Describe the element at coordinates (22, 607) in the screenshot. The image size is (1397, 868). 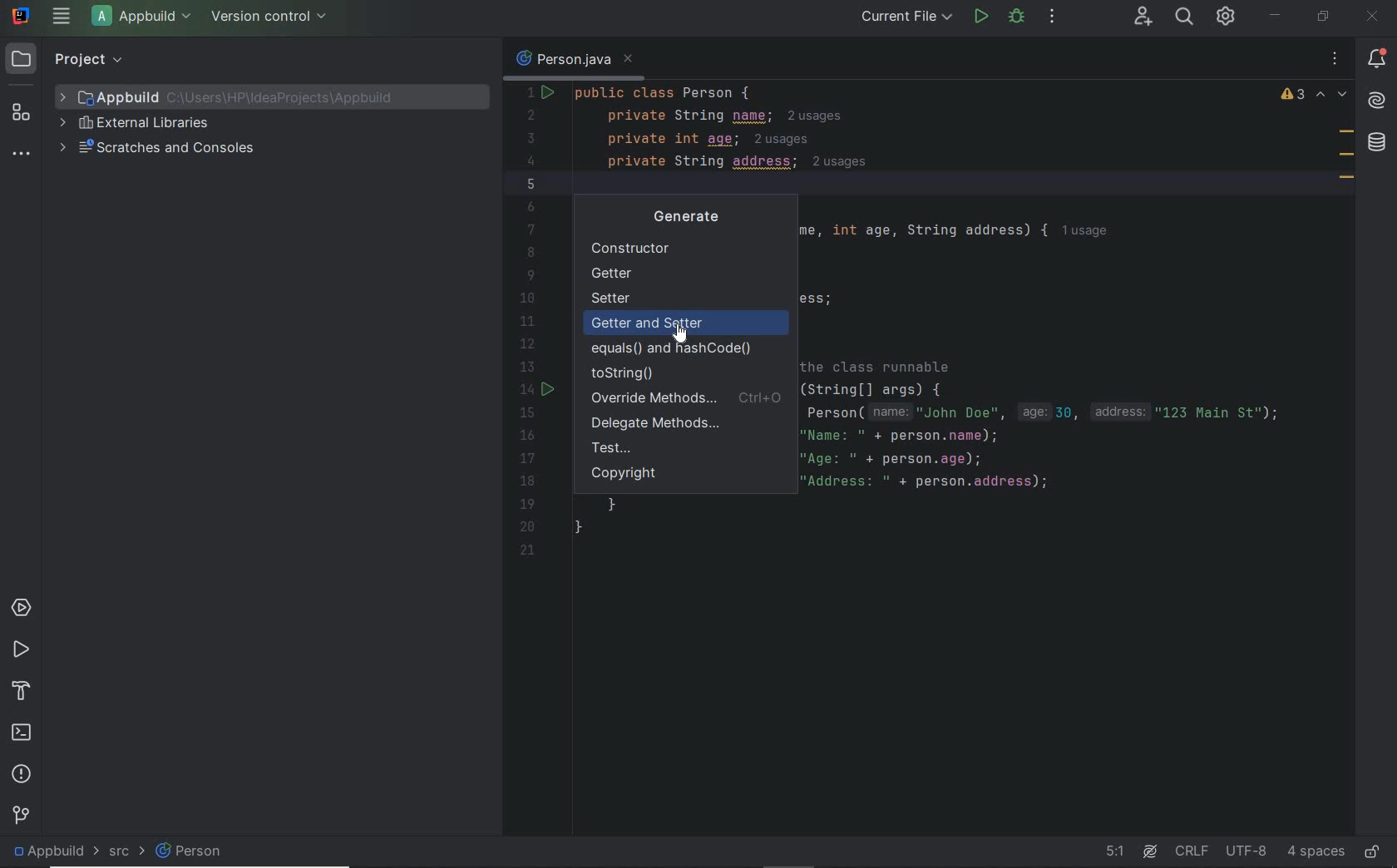
I see `services` at that location.